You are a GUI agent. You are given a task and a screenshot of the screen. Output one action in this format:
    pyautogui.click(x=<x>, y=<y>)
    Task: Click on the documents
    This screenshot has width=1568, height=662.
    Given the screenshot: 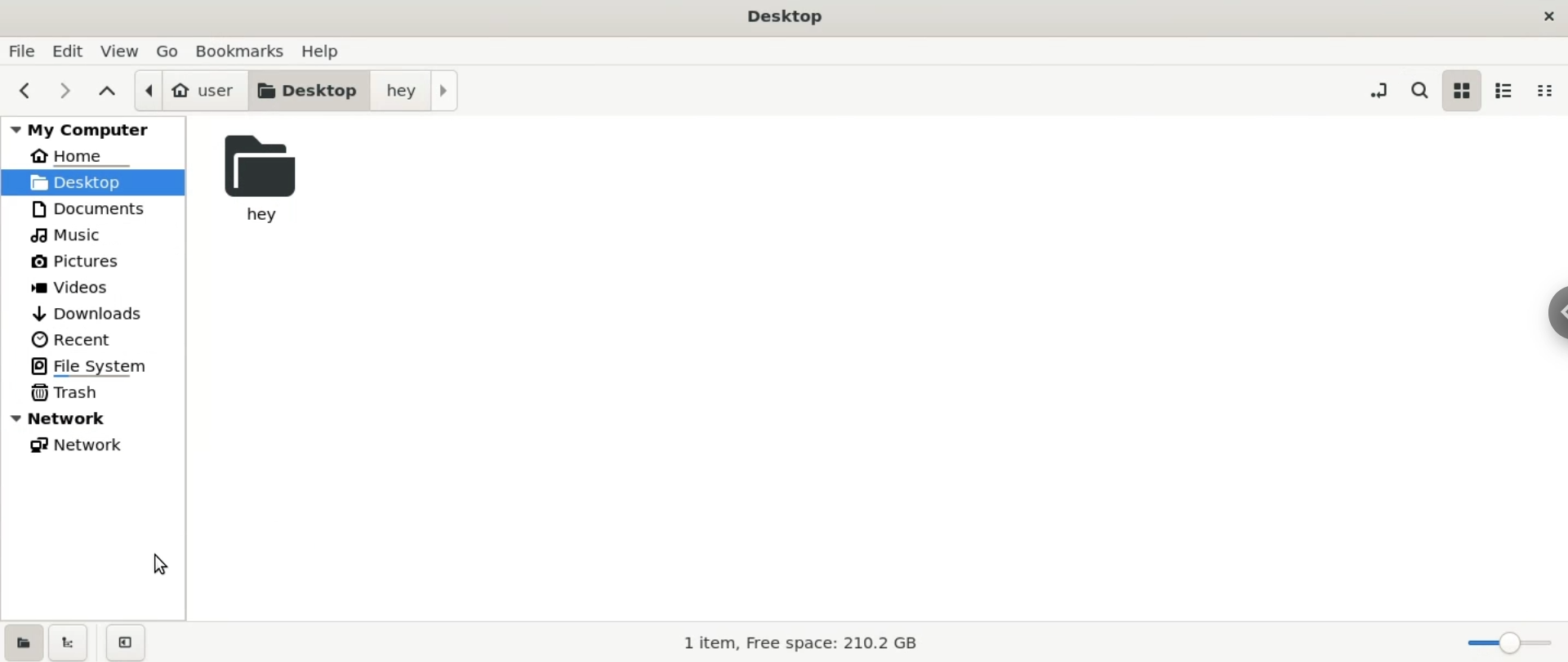 What is the action you would take?
    pyautogui.click(x=91, y=208)
    